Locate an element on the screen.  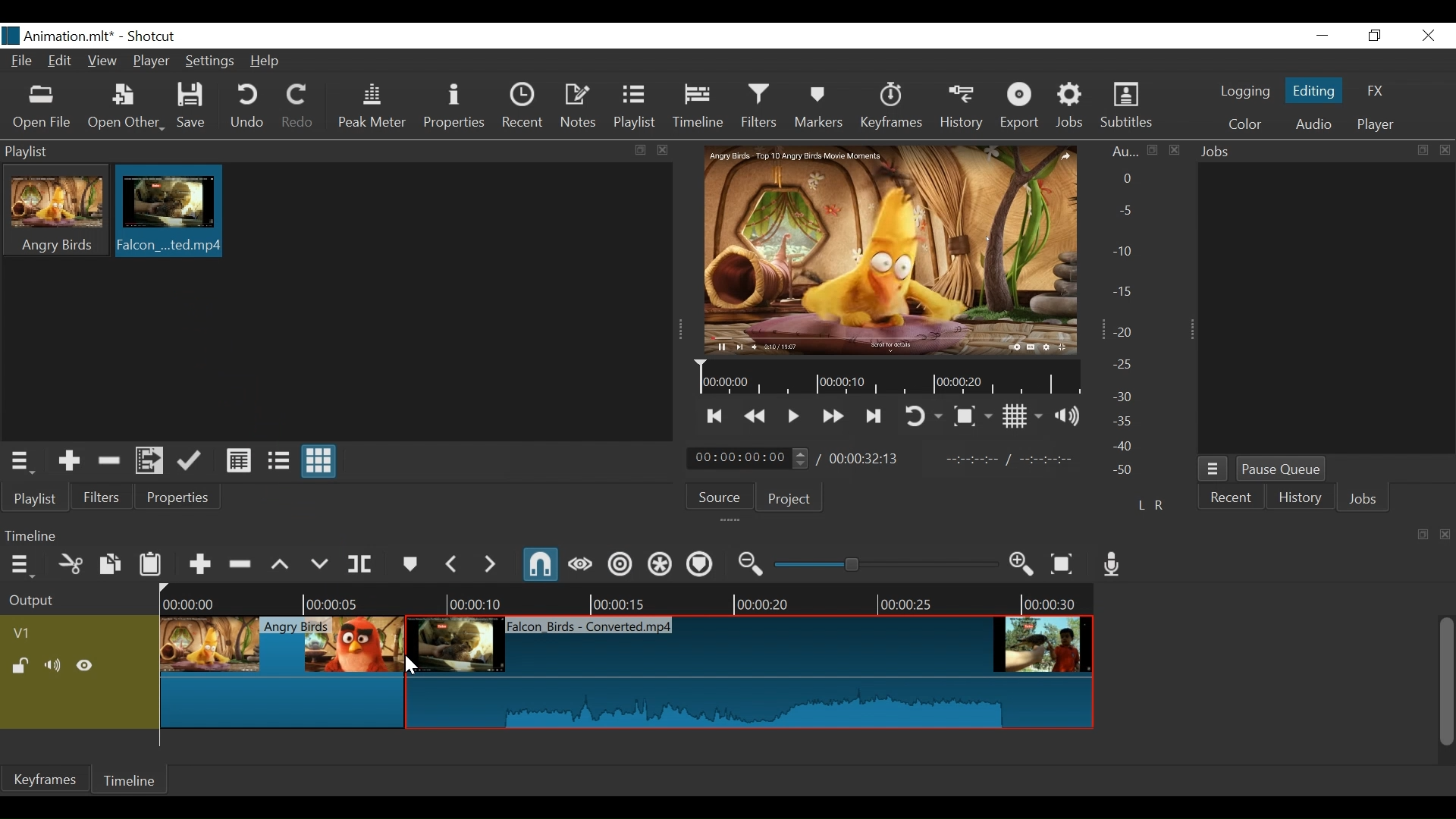
History is located at coordinates (962, 108).